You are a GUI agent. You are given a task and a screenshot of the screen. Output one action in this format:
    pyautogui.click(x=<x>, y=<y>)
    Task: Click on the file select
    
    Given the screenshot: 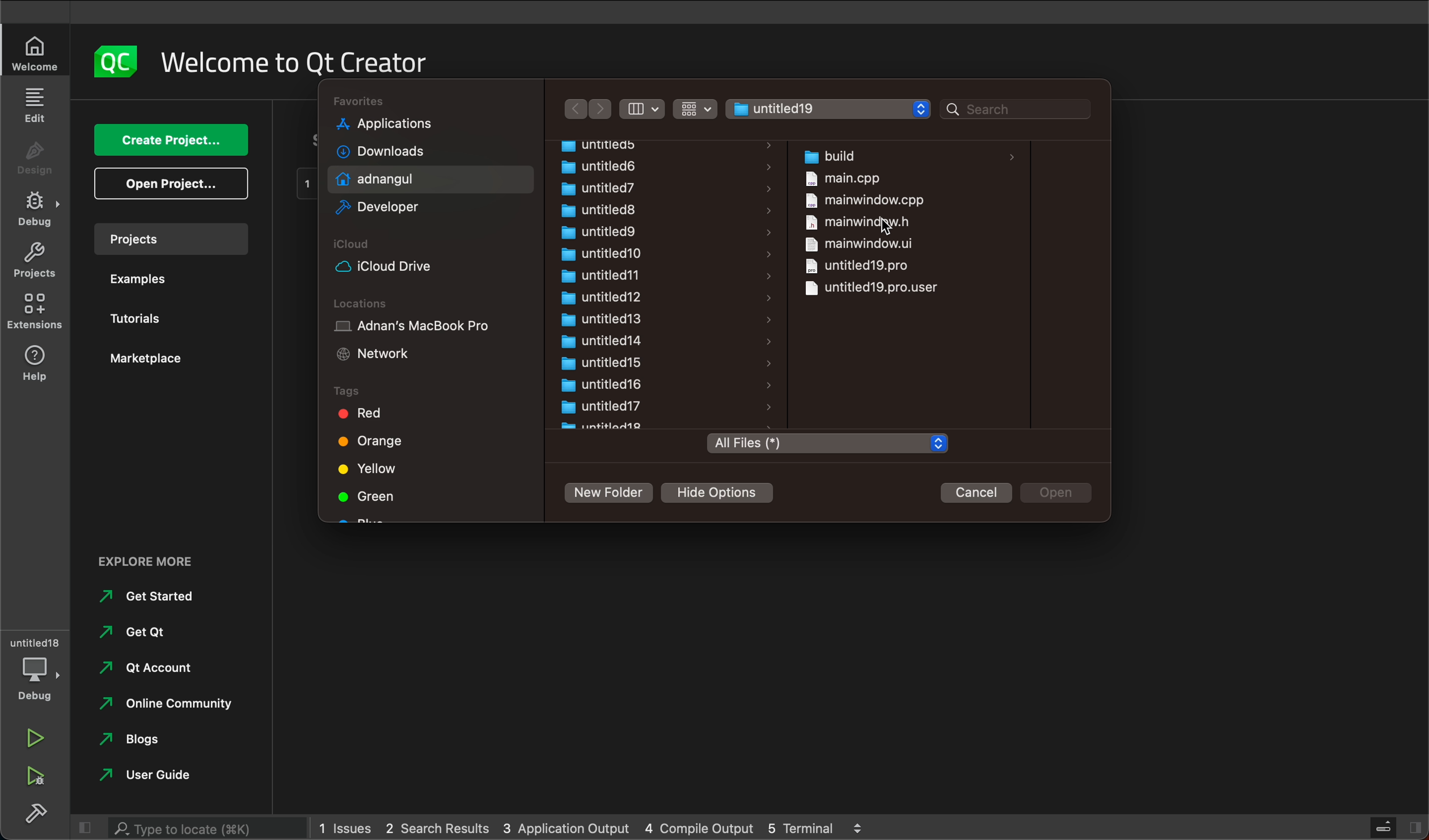 What is the action you would take?
    pyautogui.click(x=828, y=109)
    